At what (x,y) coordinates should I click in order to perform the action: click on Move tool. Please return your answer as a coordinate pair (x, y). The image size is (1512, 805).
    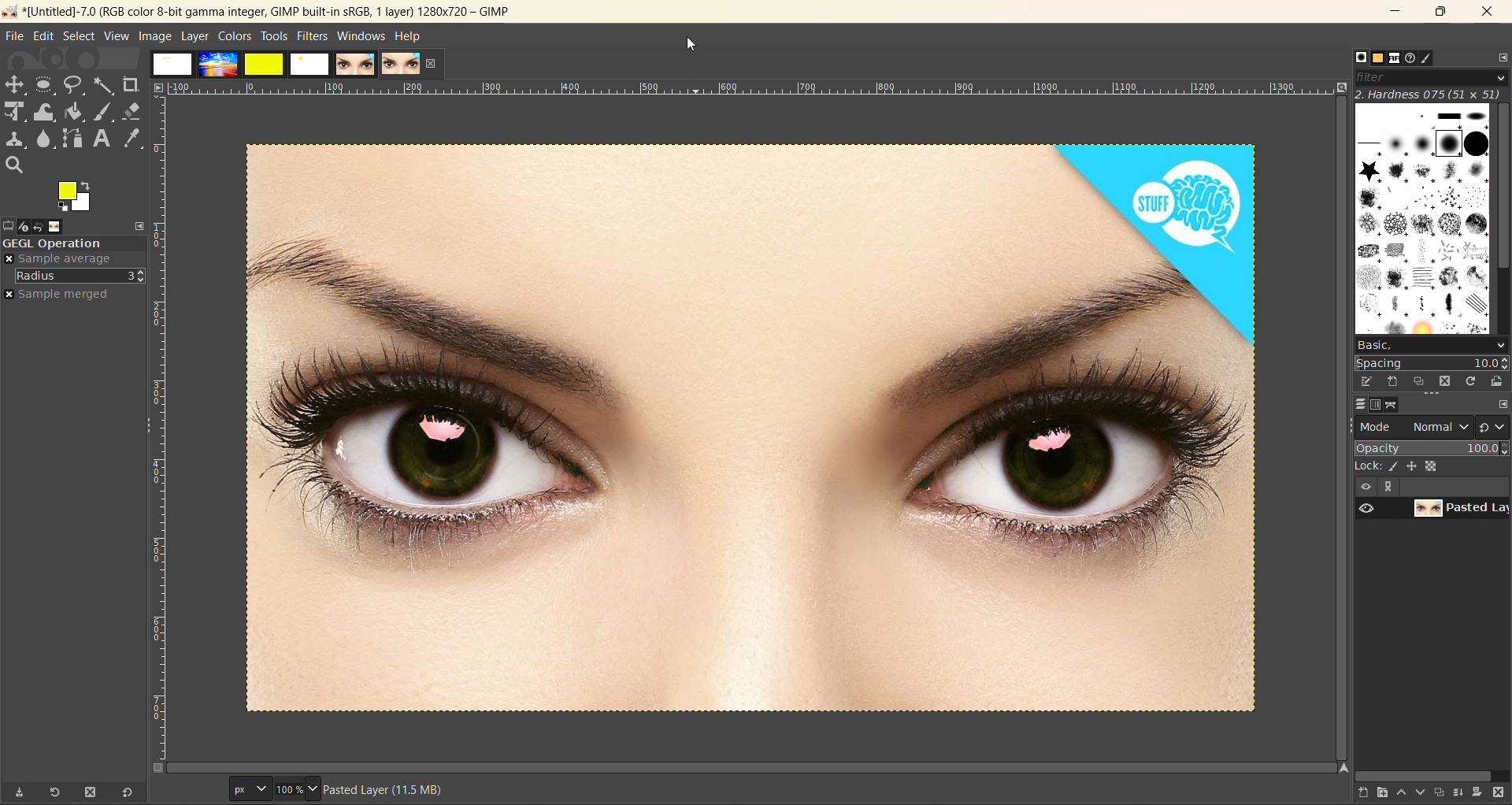
    Looking at the image, I should click on (17, 84).